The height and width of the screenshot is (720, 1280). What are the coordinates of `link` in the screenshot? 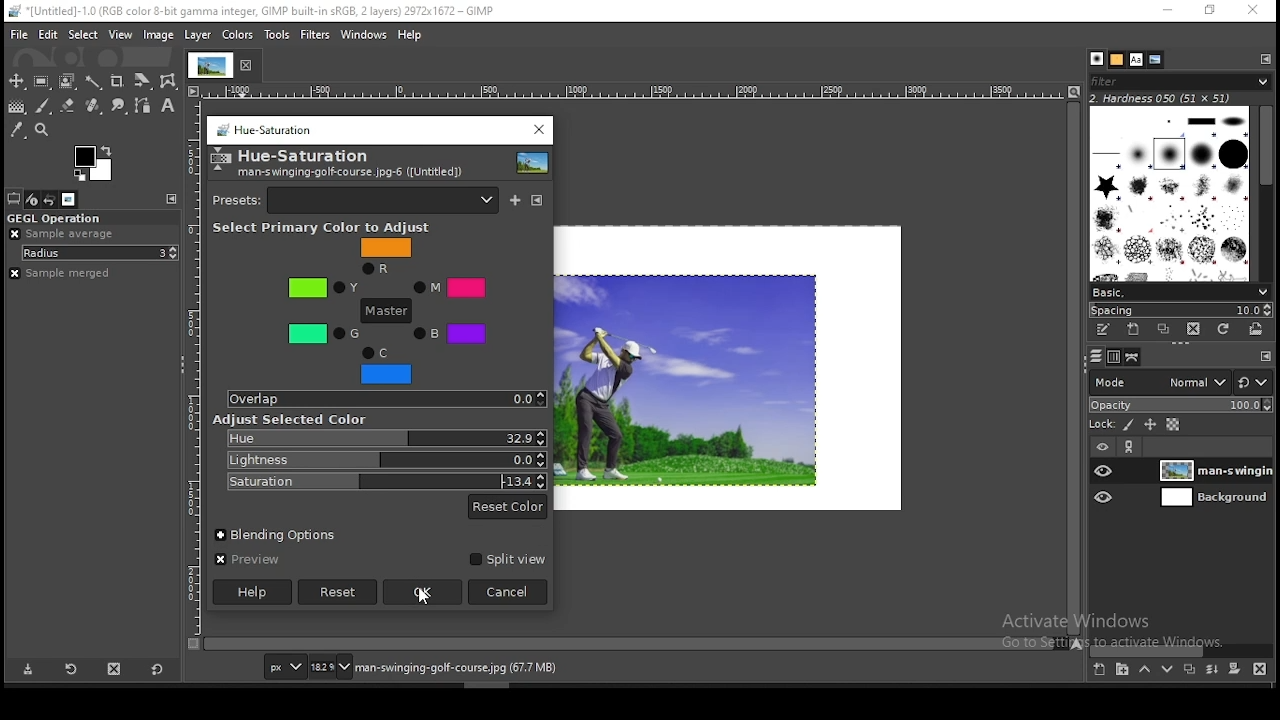 It's located at (1130, 448).